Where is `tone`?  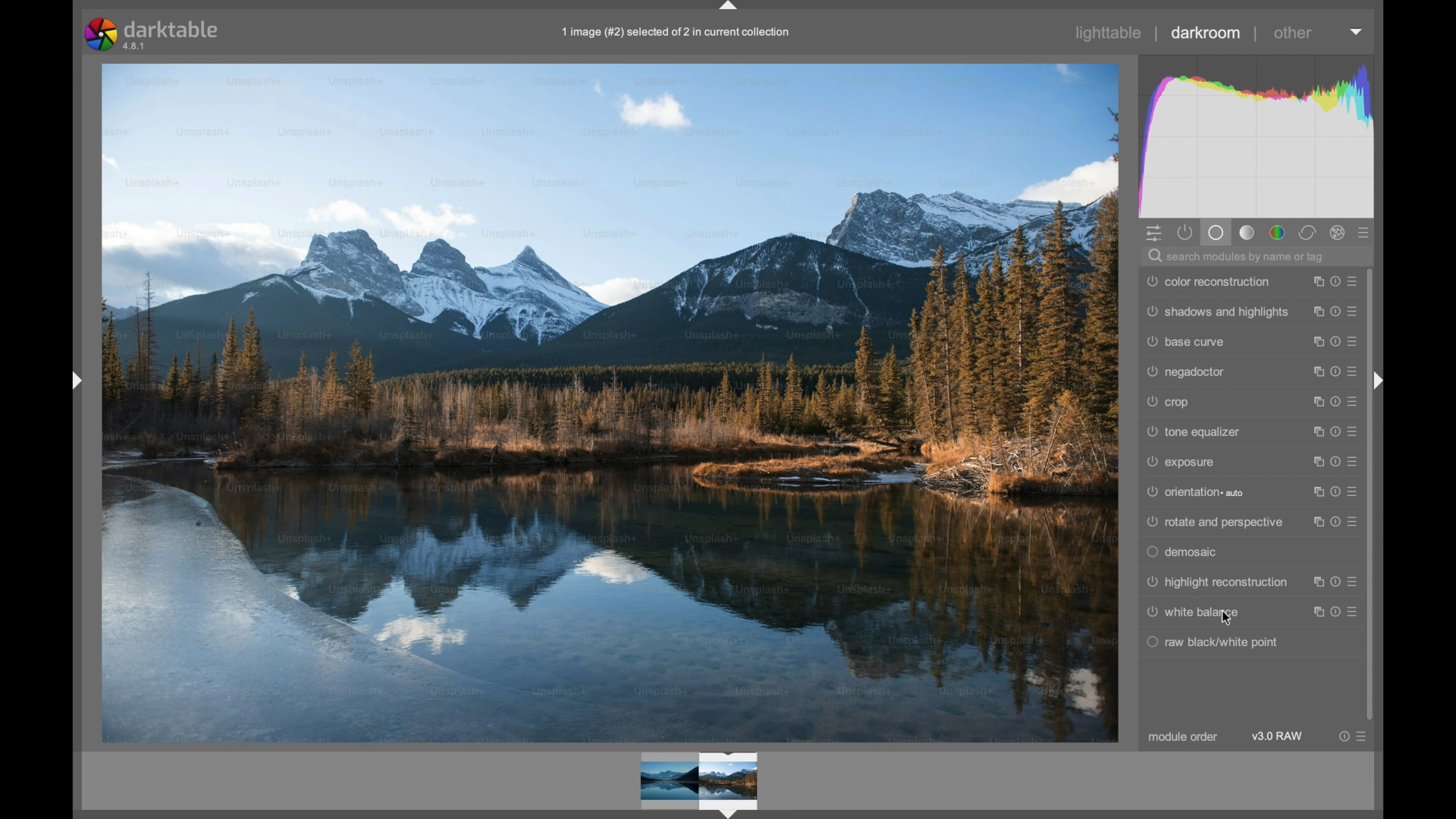 tone is located at coordinates (1247, 232).